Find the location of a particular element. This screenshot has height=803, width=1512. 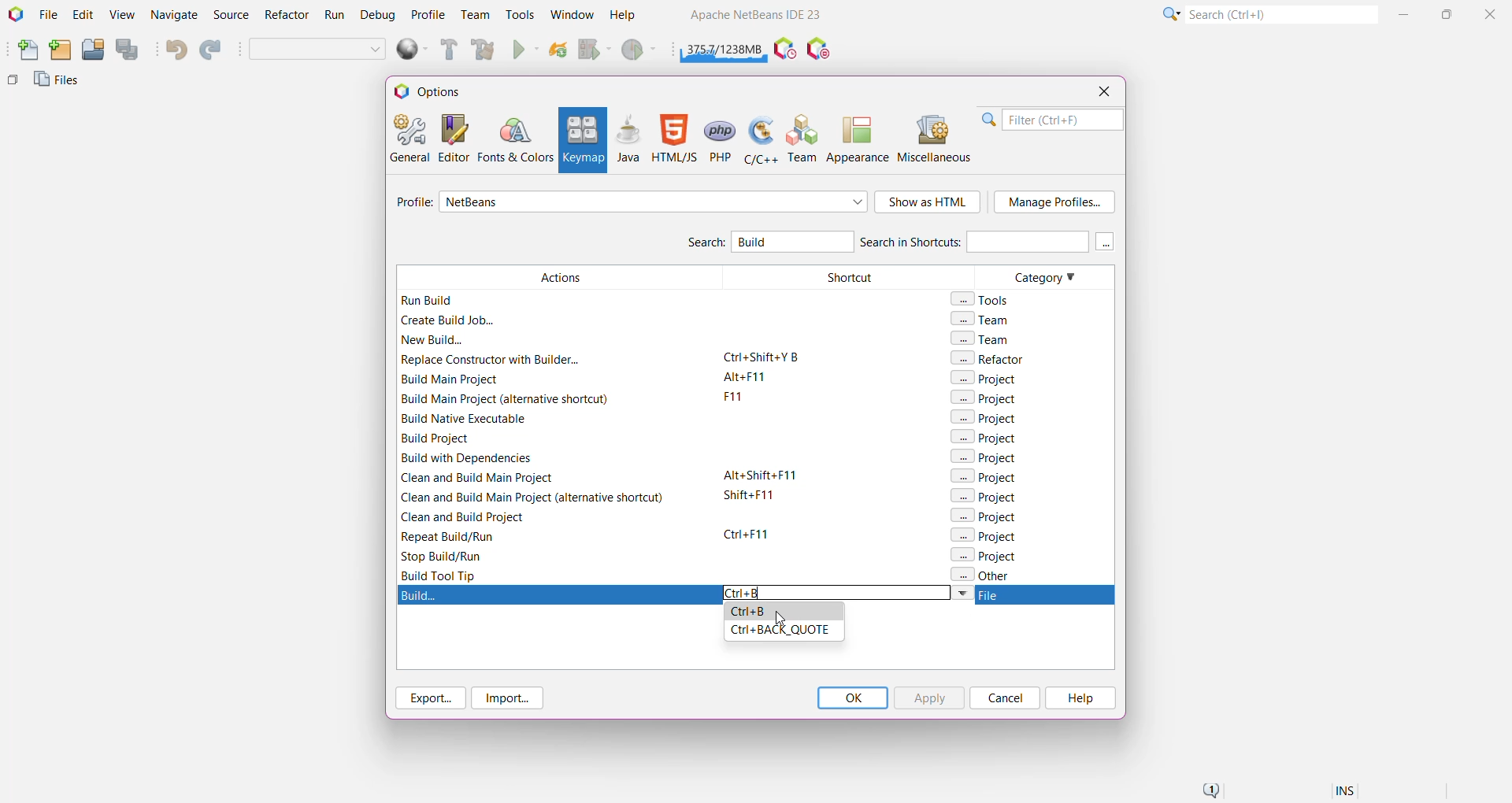

Profile Main project is located at coordinates (640, 51).